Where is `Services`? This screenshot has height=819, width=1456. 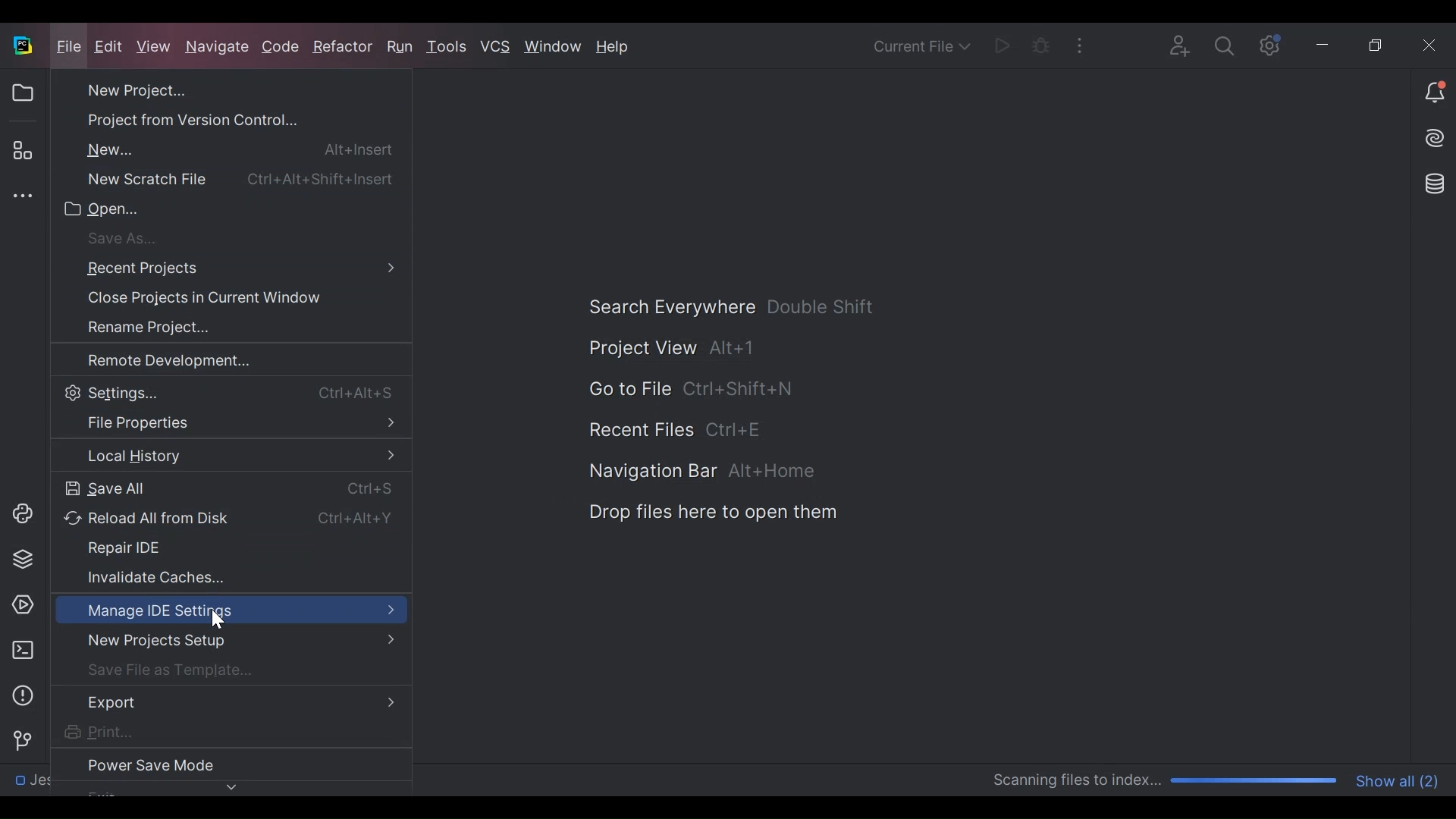 Services is located at coordinates (18, 605).